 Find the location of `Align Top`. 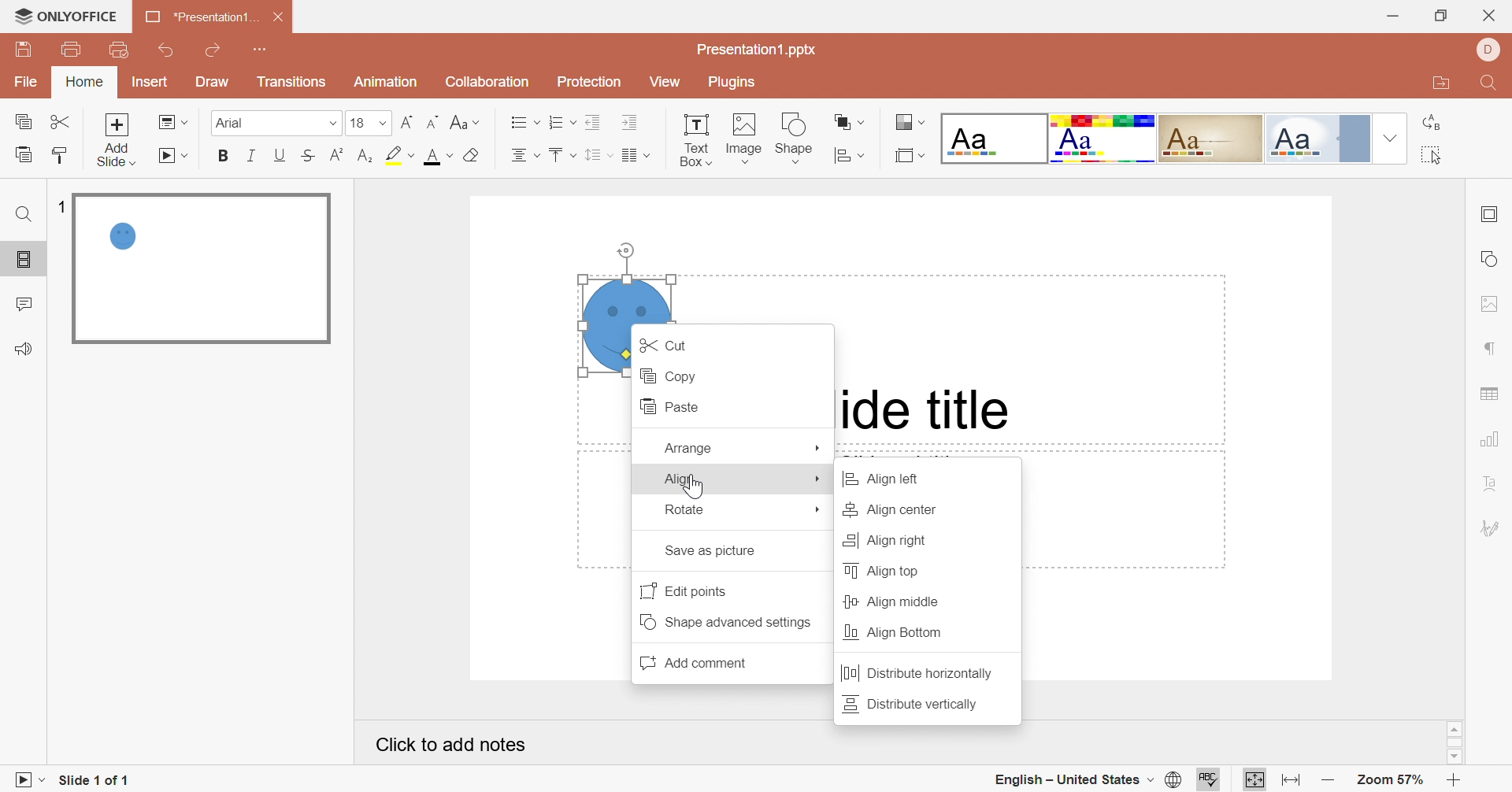

Align Top is located at coordinates (561, 155).